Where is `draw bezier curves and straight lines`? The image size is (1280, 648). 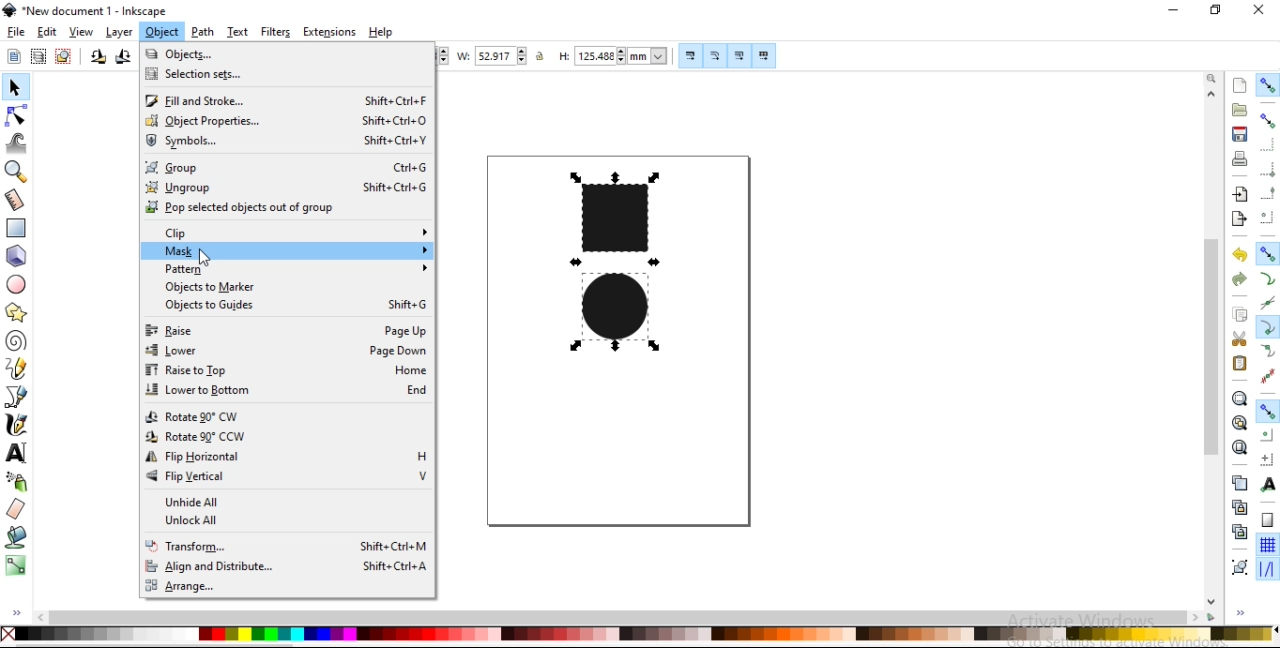
draw bezier curves and straight lines is located at coordinates (17, 398).